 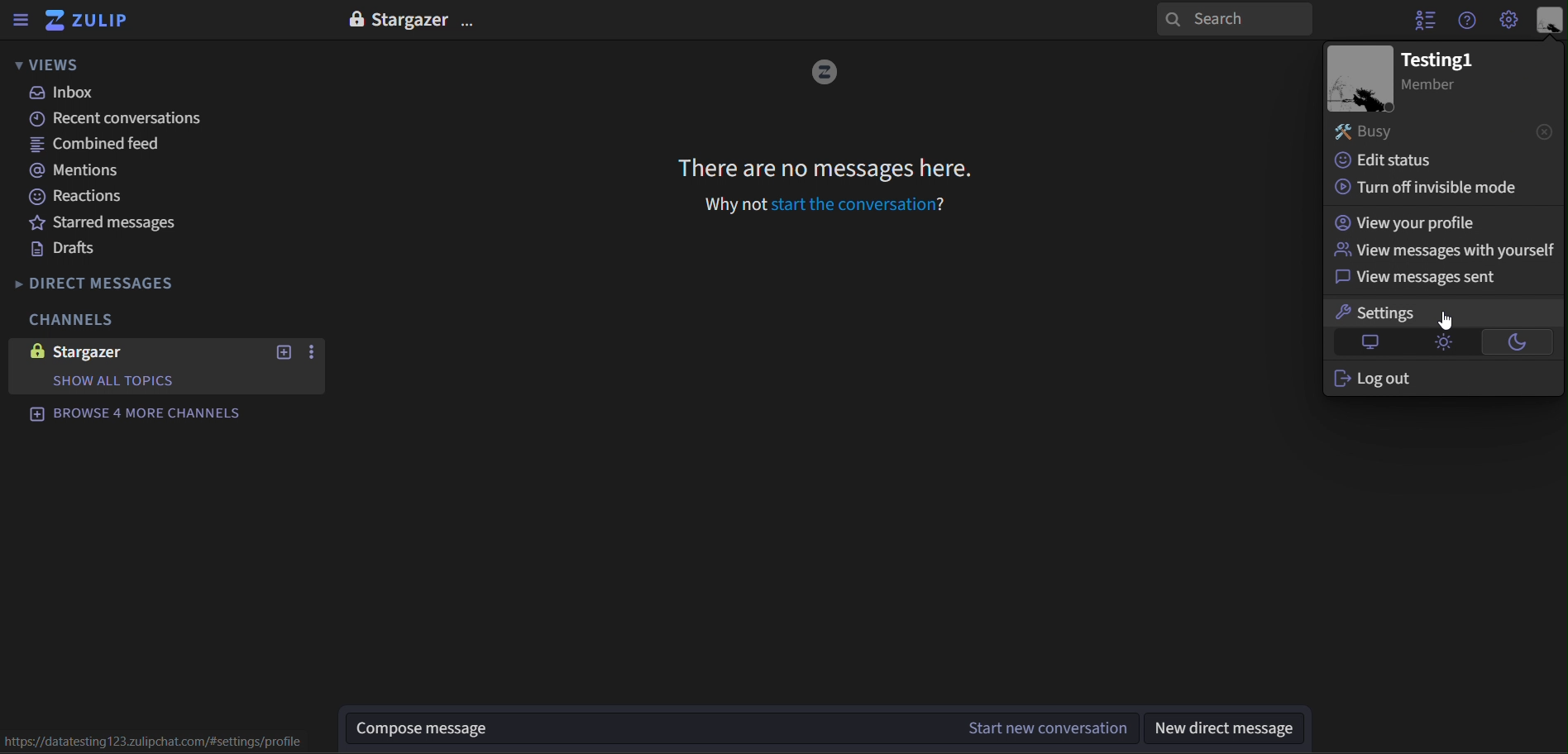 What do you see at coordinates (414, 17) in the screenshot?
I see `stargazer` at bounding box center [414, 17].